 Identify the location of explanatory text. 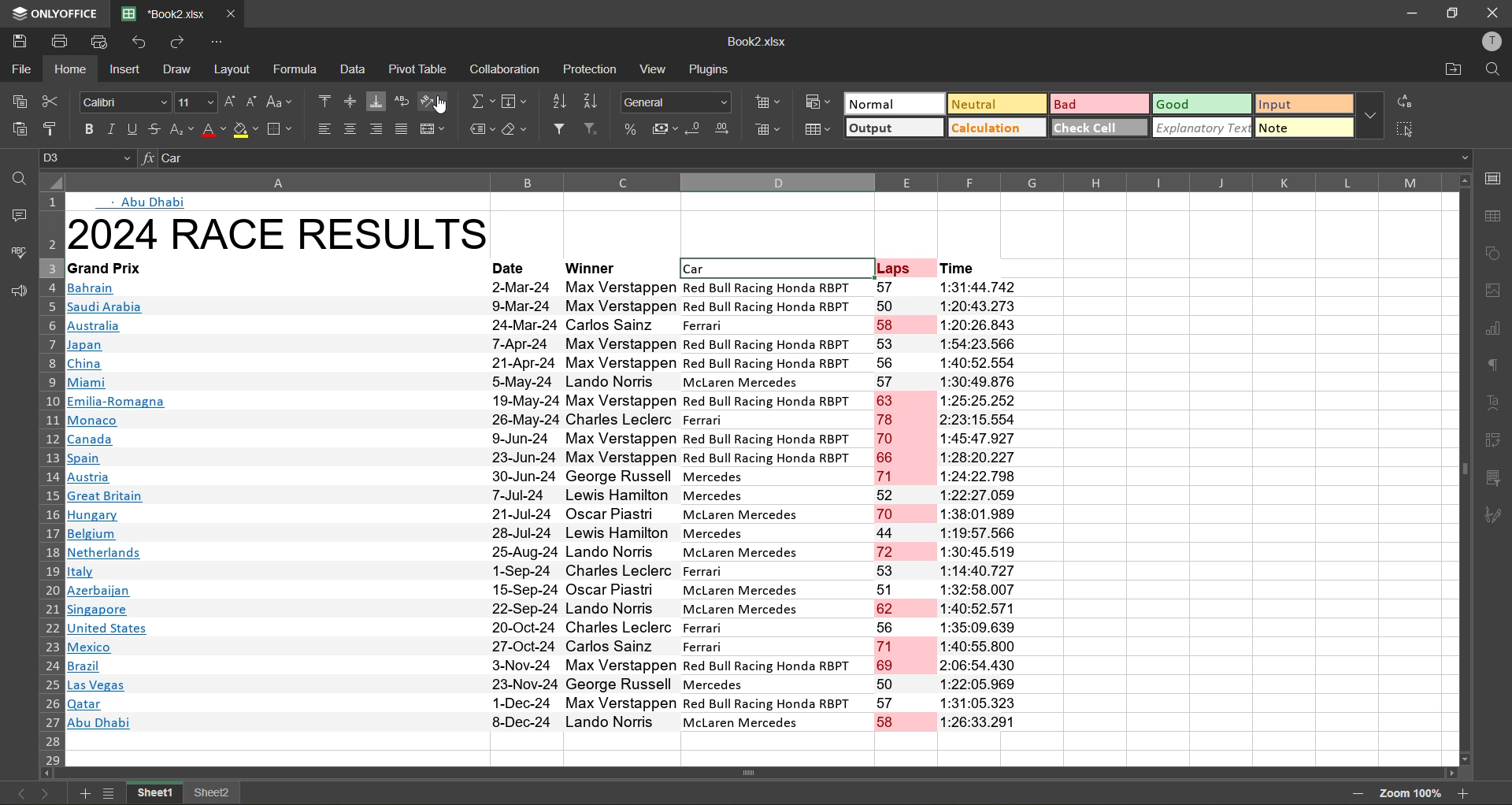
(1204, 127).